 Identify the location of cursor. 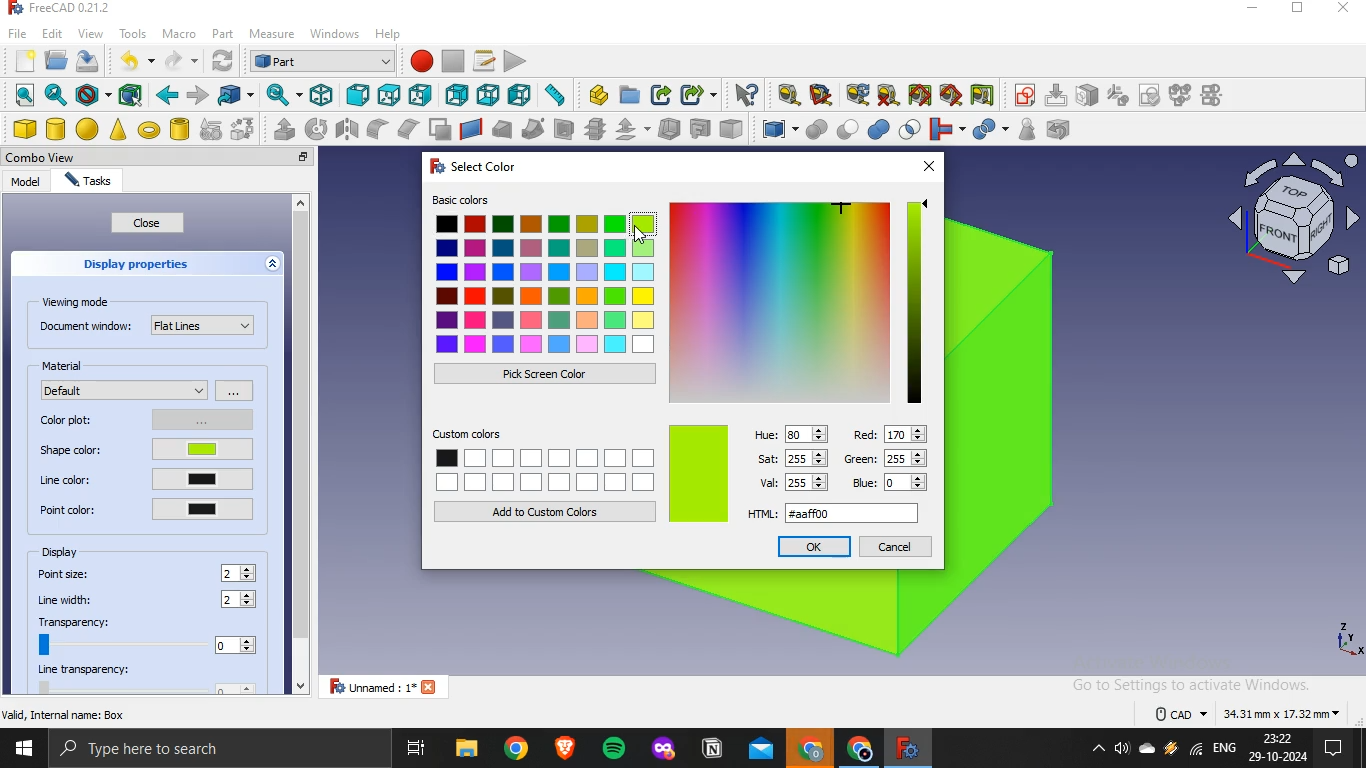
(637, 235).